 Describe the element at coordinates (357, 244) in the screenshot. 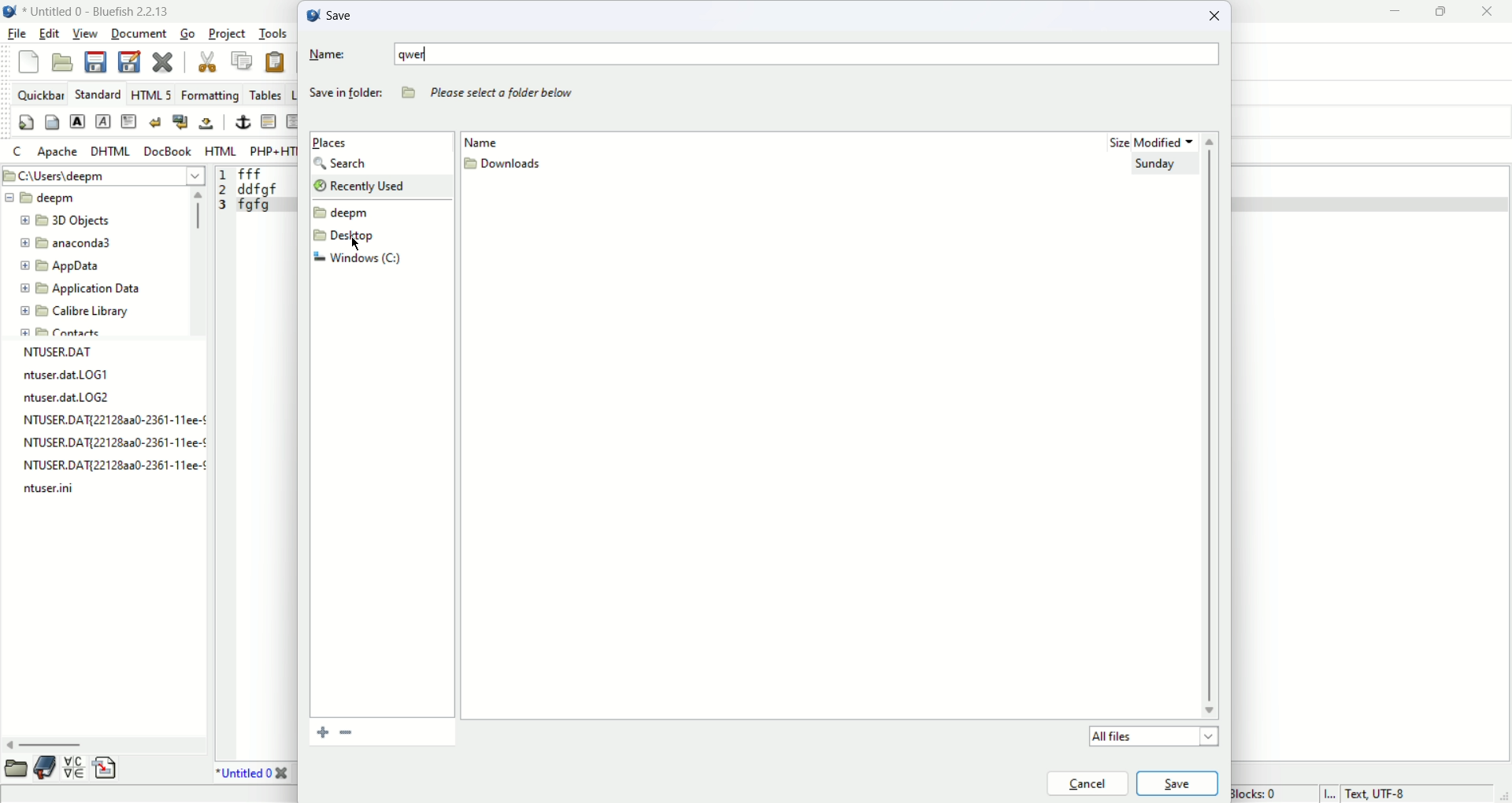

I see `cursor` at that location.